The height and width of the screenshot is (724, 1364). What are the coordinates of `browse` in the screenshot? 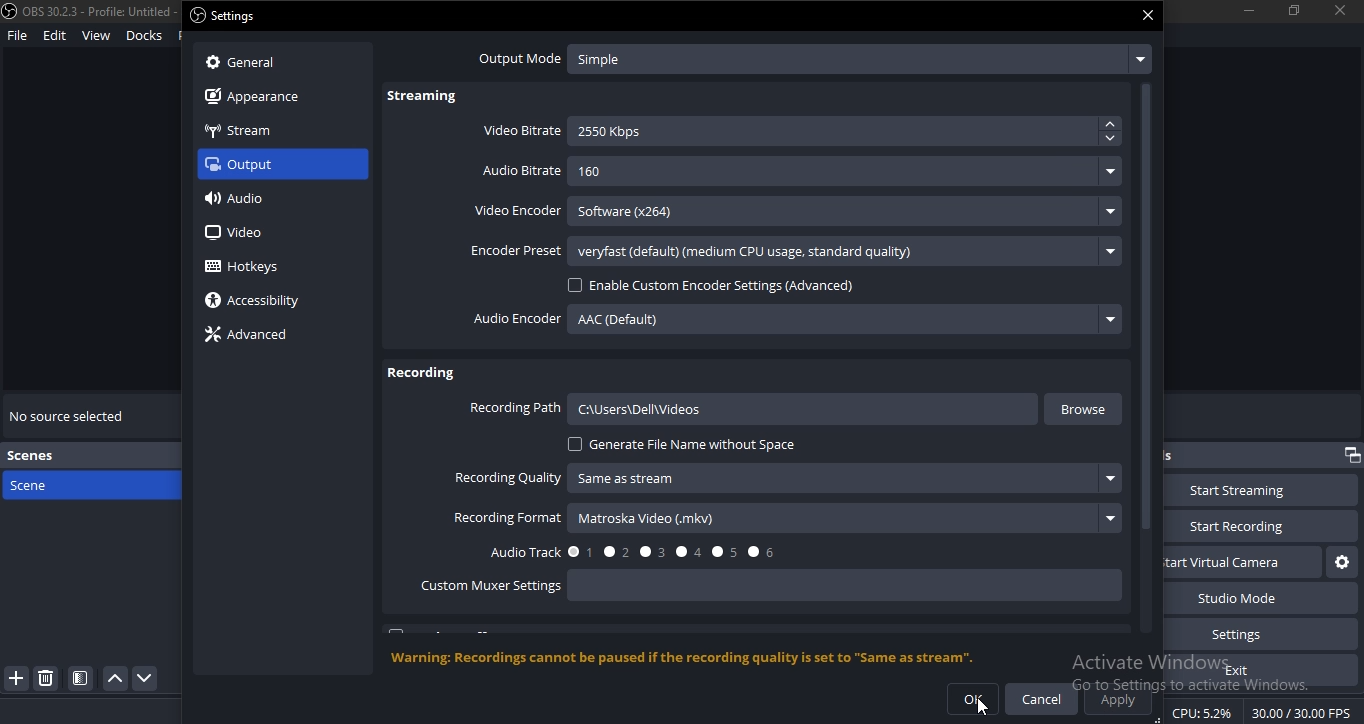 It's located at (1085, 409).